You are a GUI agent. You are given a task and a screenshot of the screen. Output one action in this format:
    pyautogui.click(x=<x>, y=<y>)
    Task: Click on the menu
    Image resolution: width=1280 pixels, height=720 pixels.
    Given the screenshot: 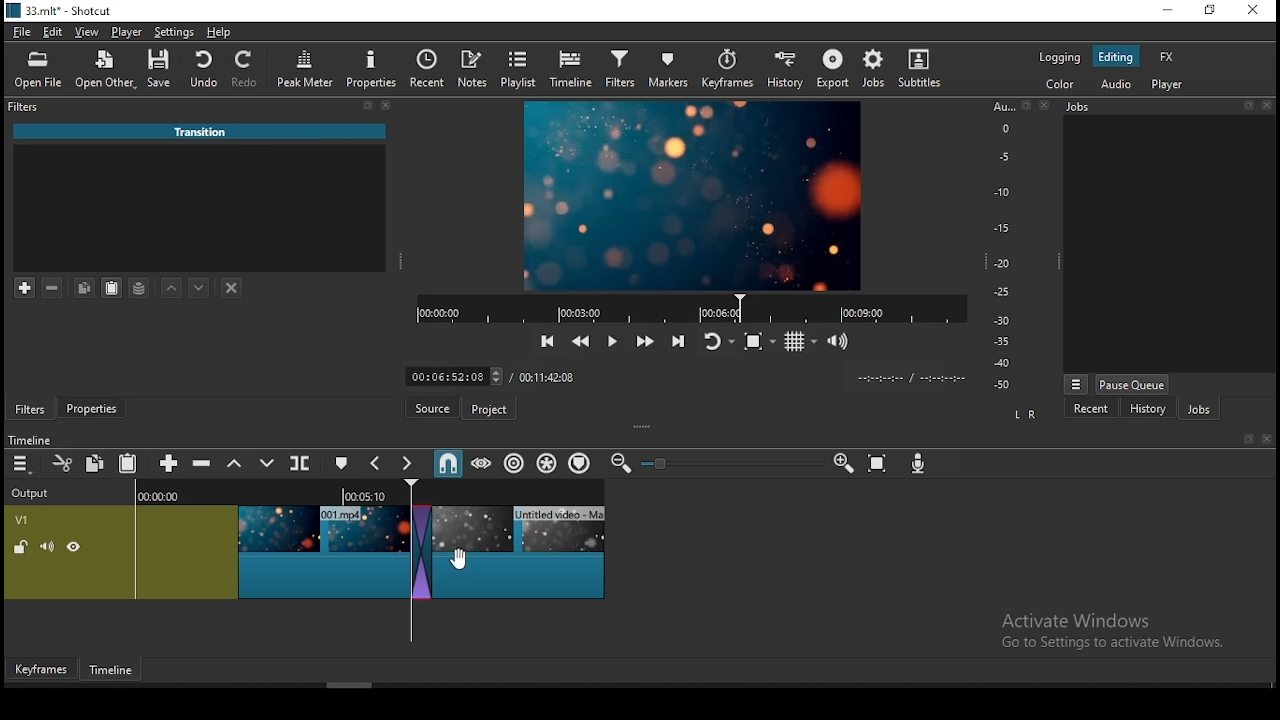 What is the action you would take?
    pyautogui.click(x=22, y=464)
    